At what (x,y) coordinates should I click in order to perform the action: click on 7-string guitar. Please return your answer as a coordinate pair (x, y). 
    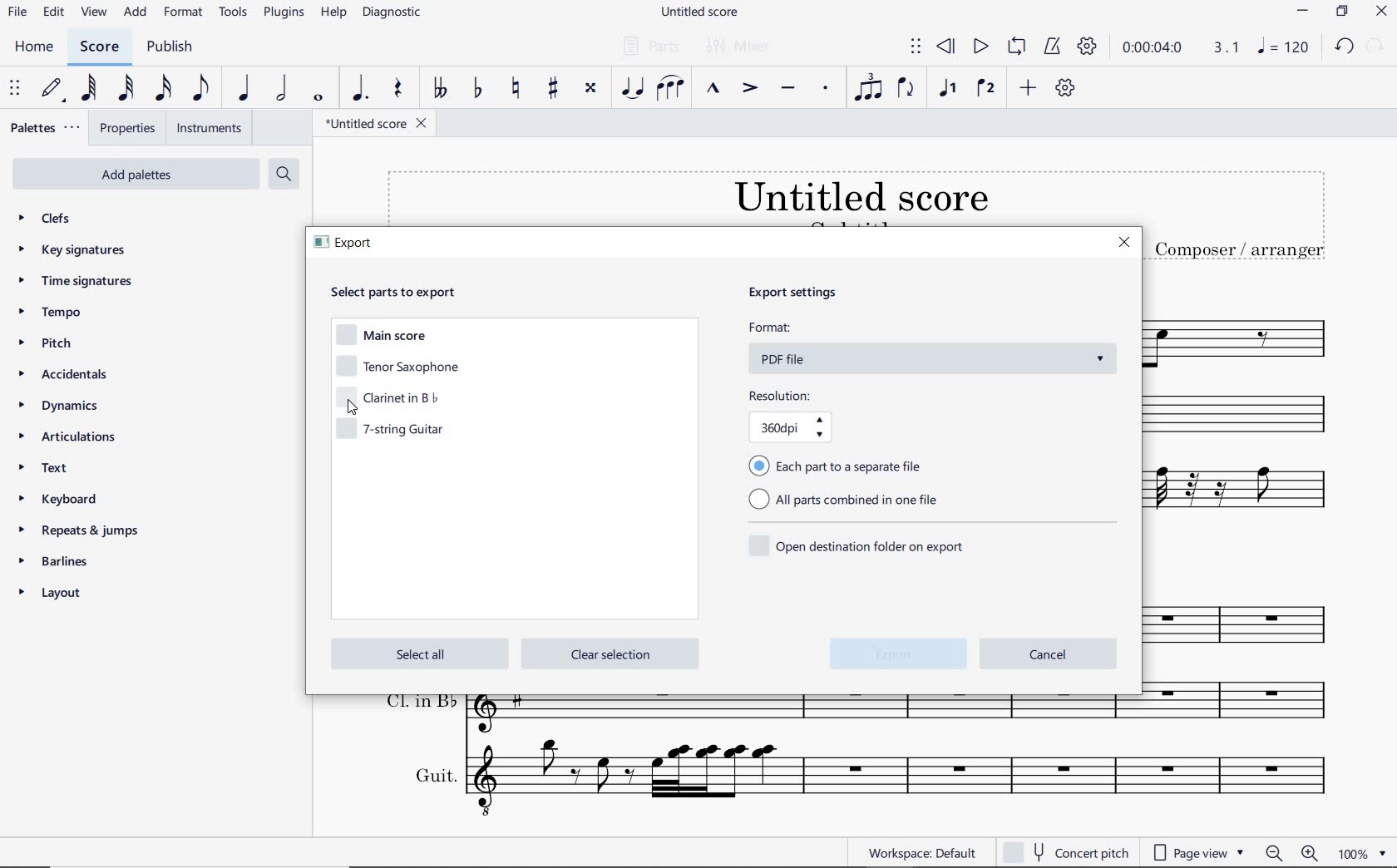
    Looking at the image, I should click on (397, 432).